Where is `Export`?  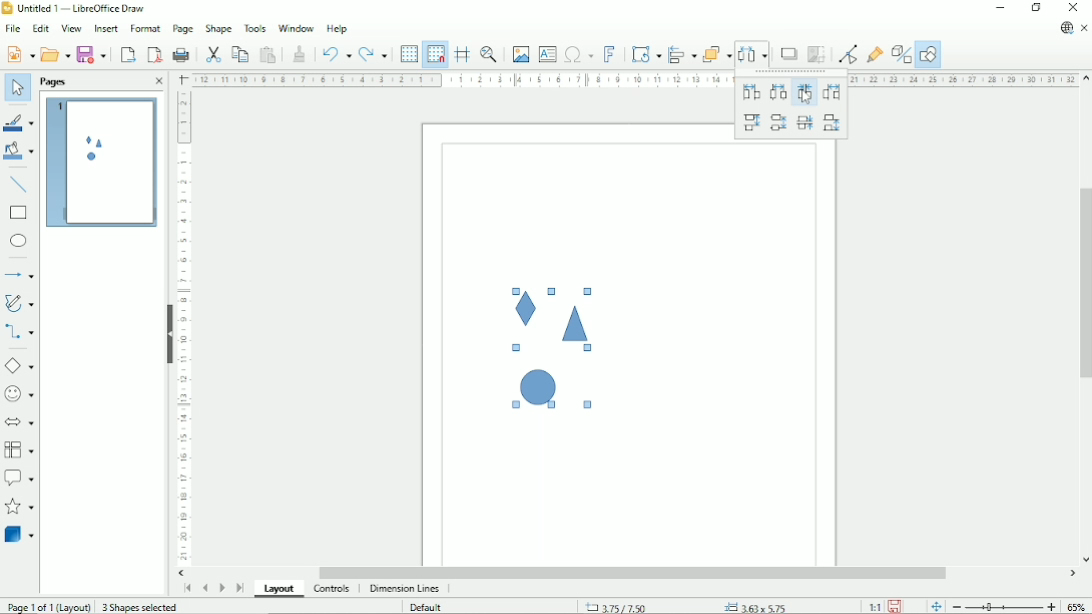
Export is located at coordinates (127, 54).